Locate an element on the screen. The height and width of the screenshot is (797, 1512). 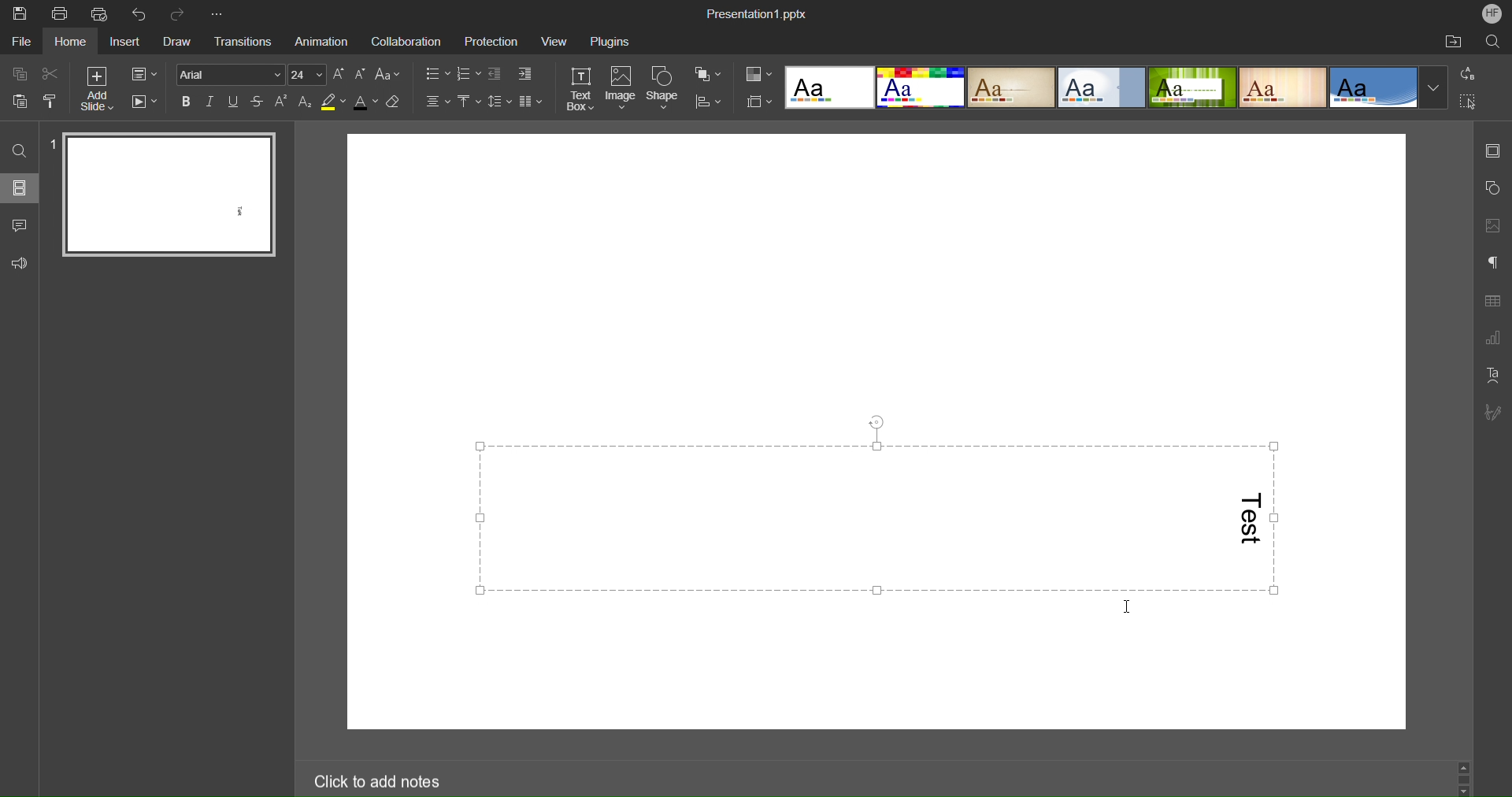
Paragraph Settings is located at coordinates (1492, 264).